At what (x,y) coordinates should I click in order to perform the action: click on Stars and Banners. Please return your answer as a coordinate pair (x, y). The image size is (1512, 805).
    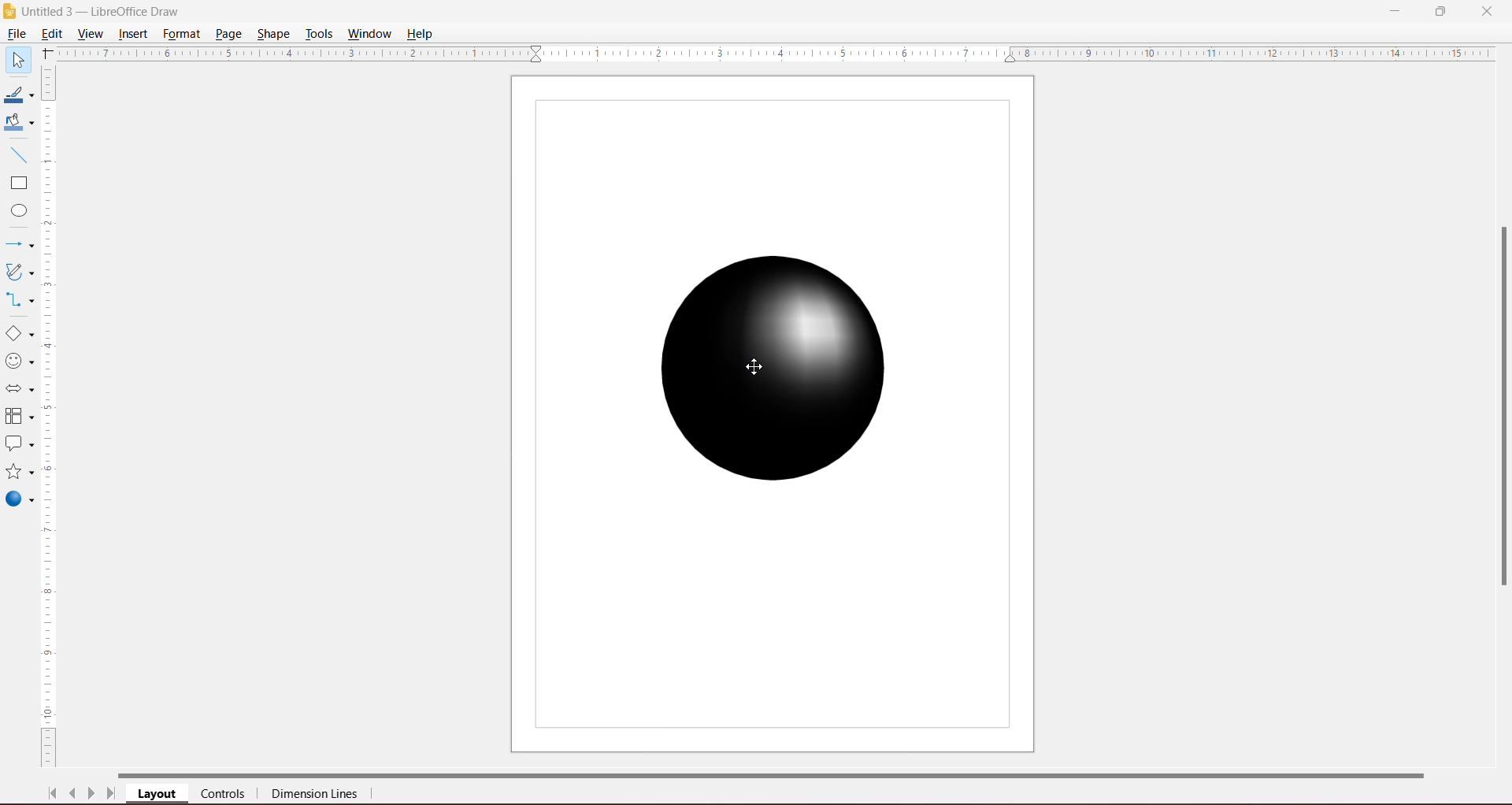
    Looking at the image, I should click on (18, 473).